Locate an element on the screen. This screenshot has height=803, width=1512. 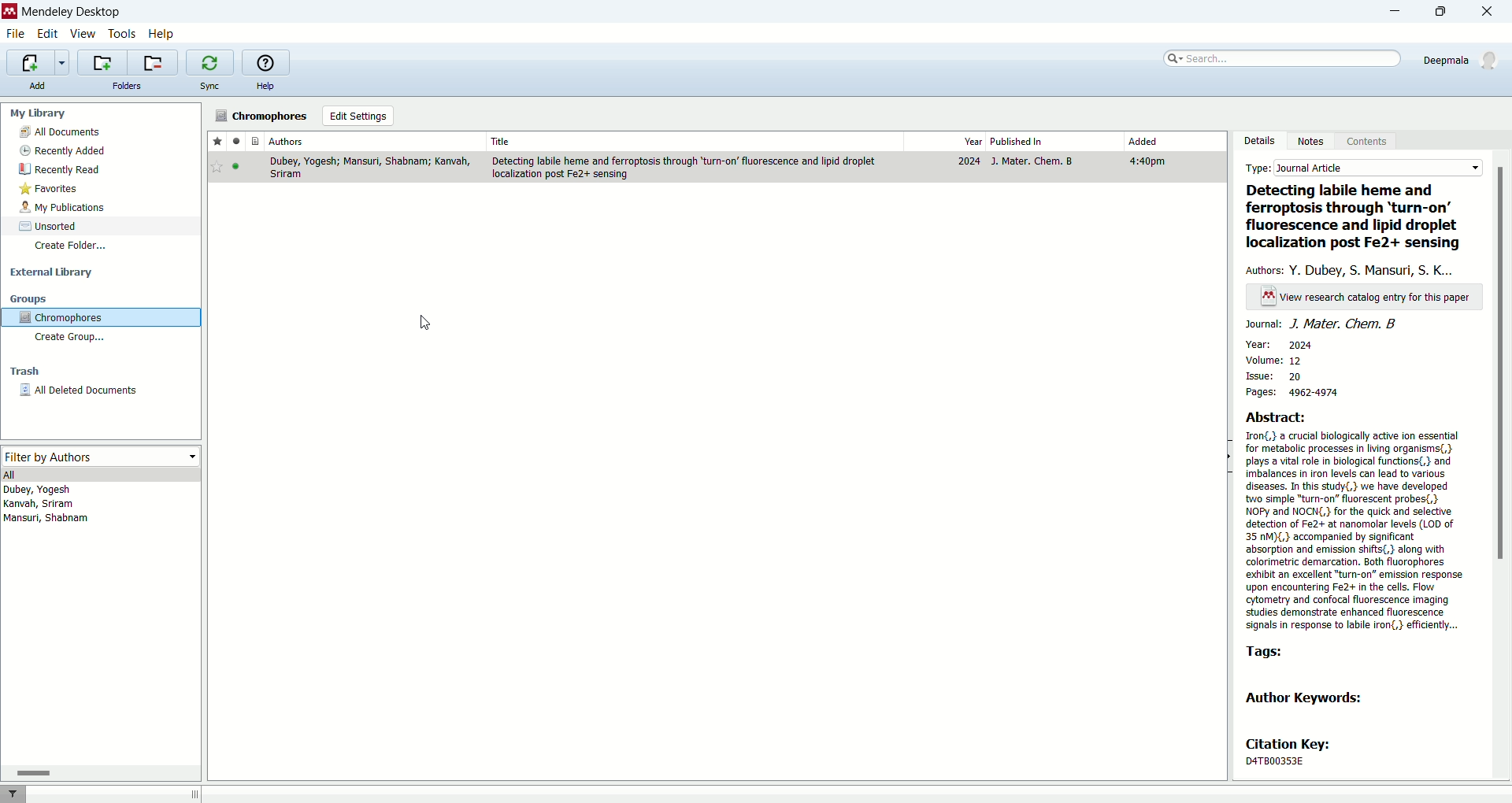
create group is located at coordinates (73, 339).